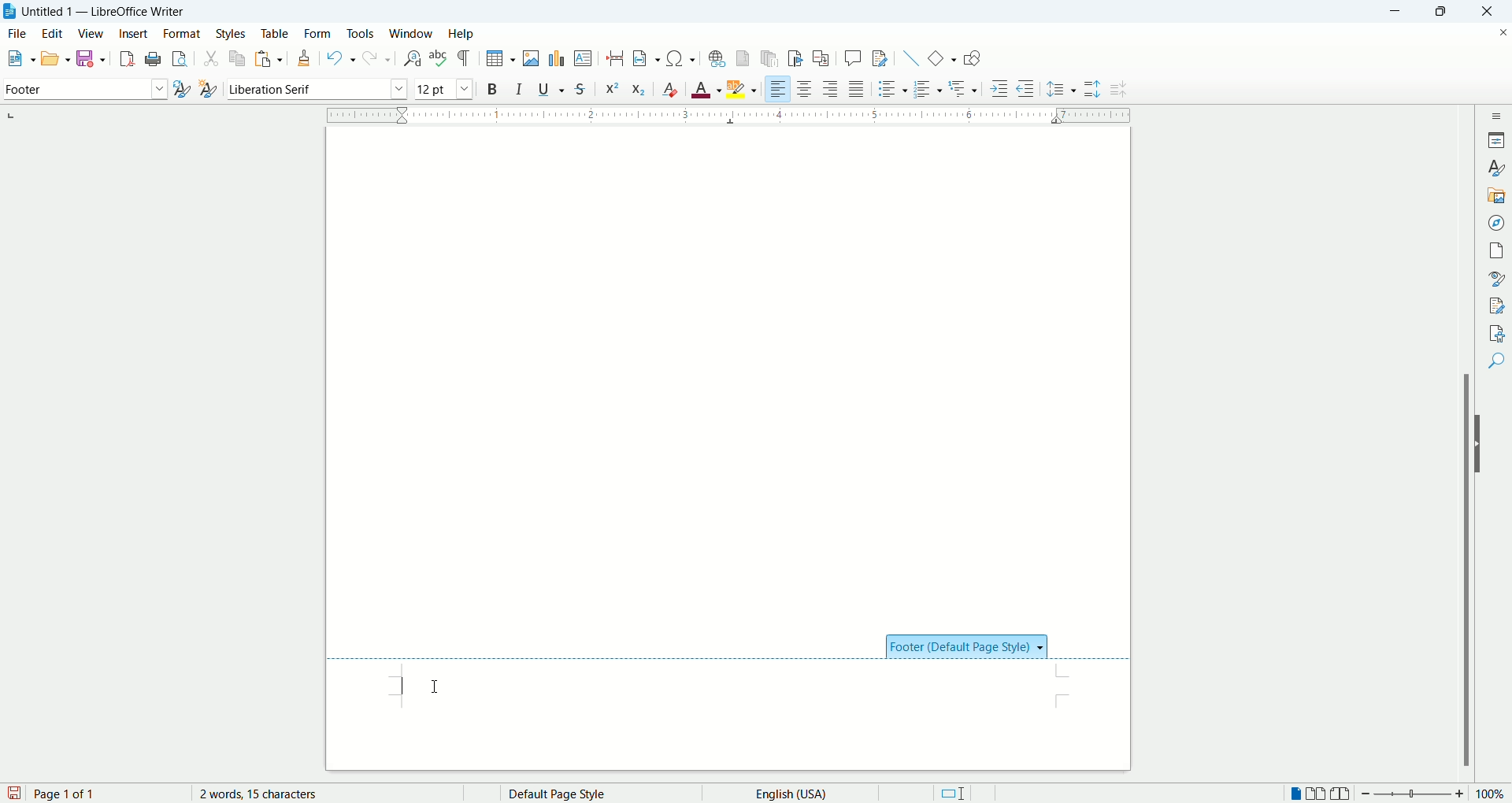 The height and width of the screenshot is (803, 1512). Describe the element at coordinates (180, 60) in the screenshot. I see `print preview` at that location.